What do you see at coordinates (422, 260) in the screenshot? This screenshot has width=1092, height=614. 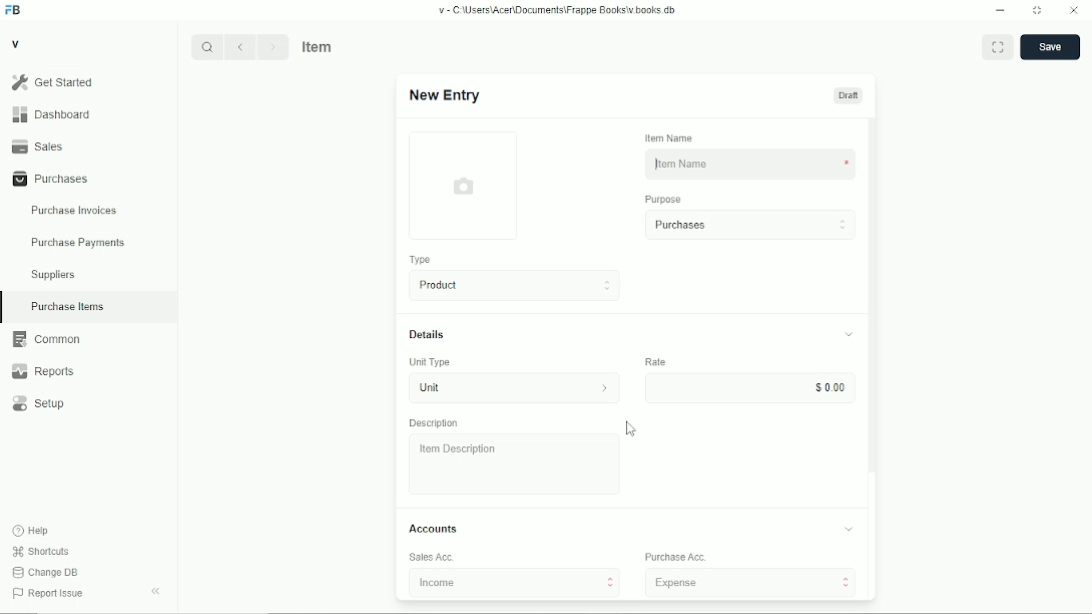 I see `type` at bounding box center [422, 260].